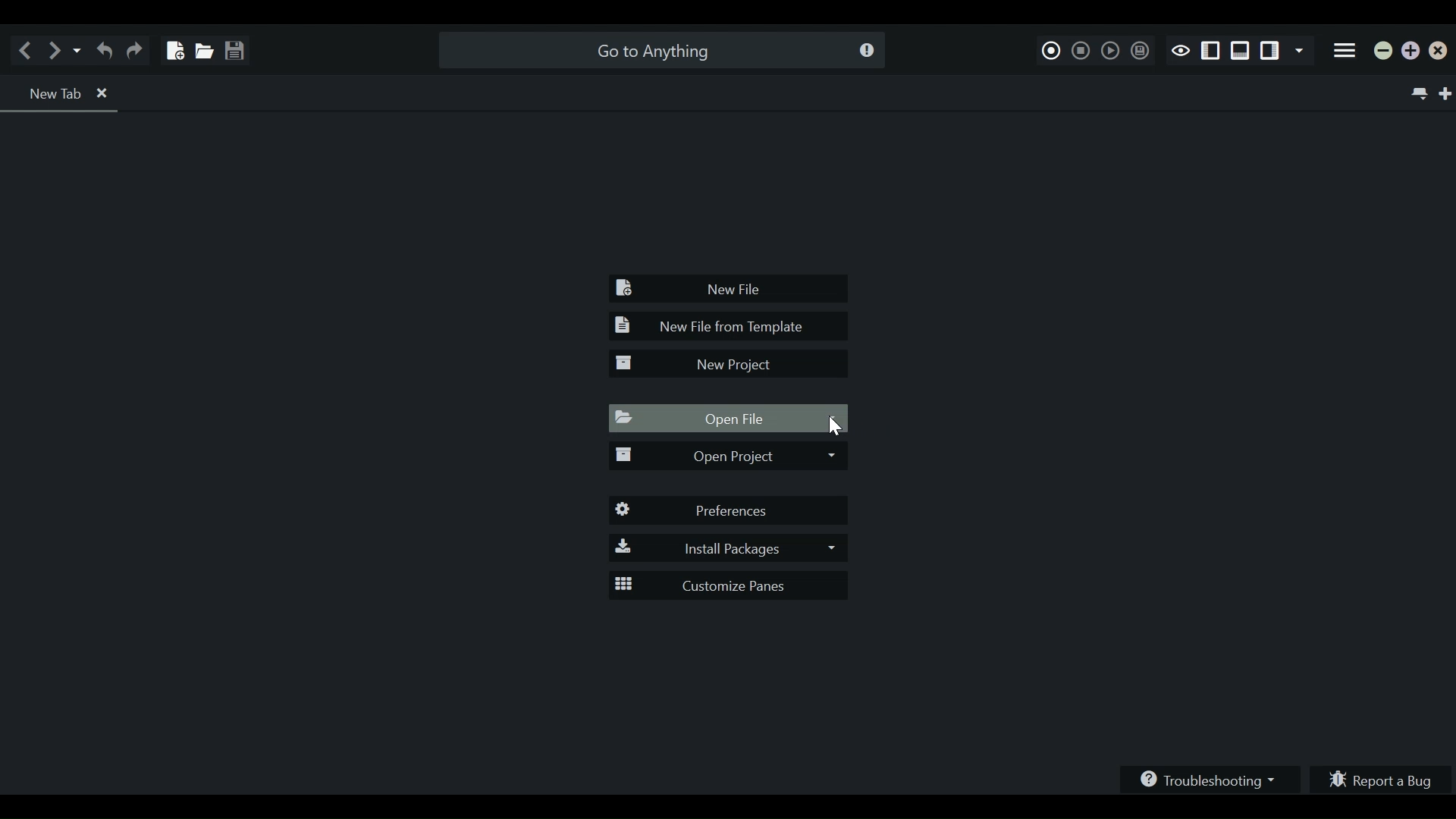  What do you see at coordinates (1442, 54) in the screenshot?
I see `Close` at bounding box center [1442, 54].